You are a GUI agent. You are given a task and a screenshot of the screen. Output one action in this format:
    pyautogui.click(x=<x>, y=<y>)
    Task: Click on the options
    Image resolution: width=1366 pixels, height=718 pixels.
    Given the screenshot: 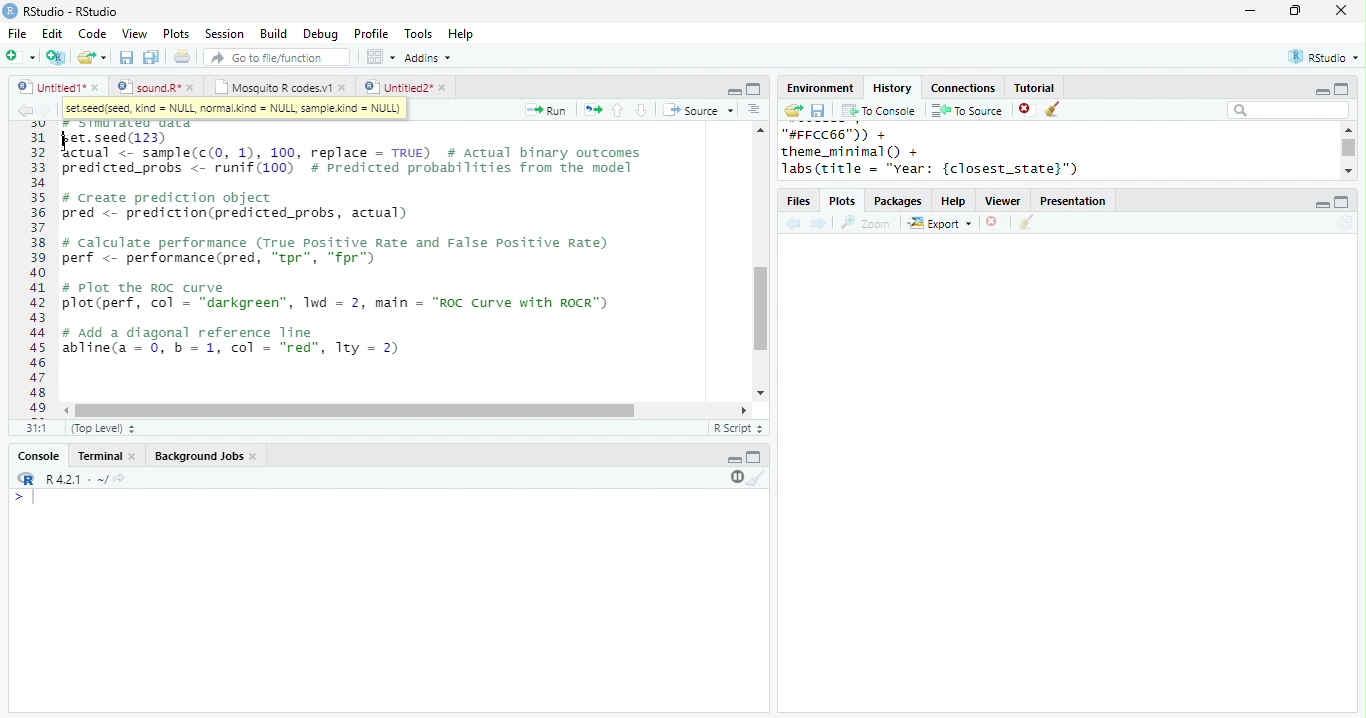 What is the action you would take?
    pyautogui.click(x=379, y=57)
    